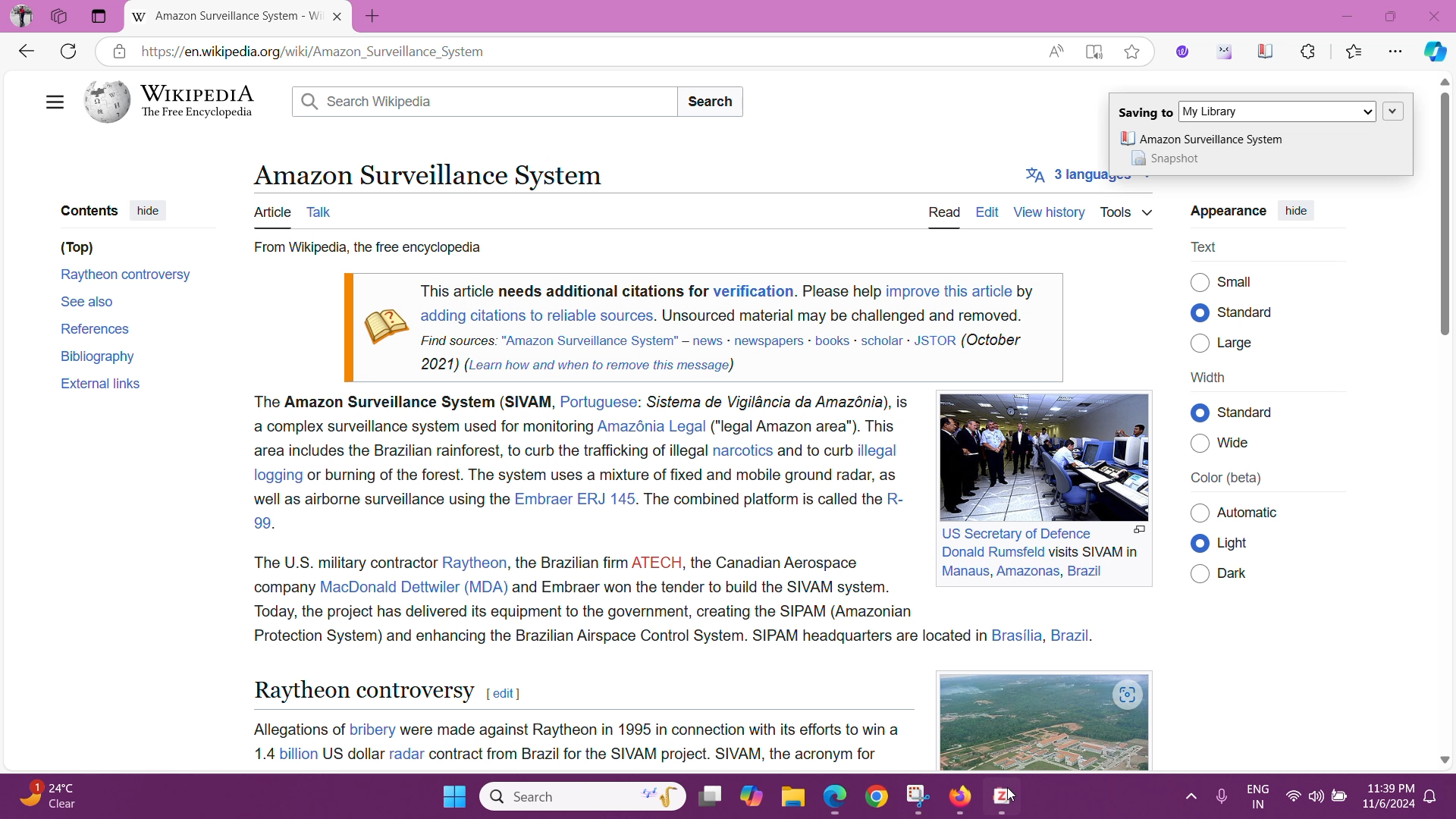 The width and height of the screenshot is (1456, 819). What do you see at coordinates (1019, 533) in the screenshot?
I see `US Secretary of Defence` at bounding box center [1019, 533].